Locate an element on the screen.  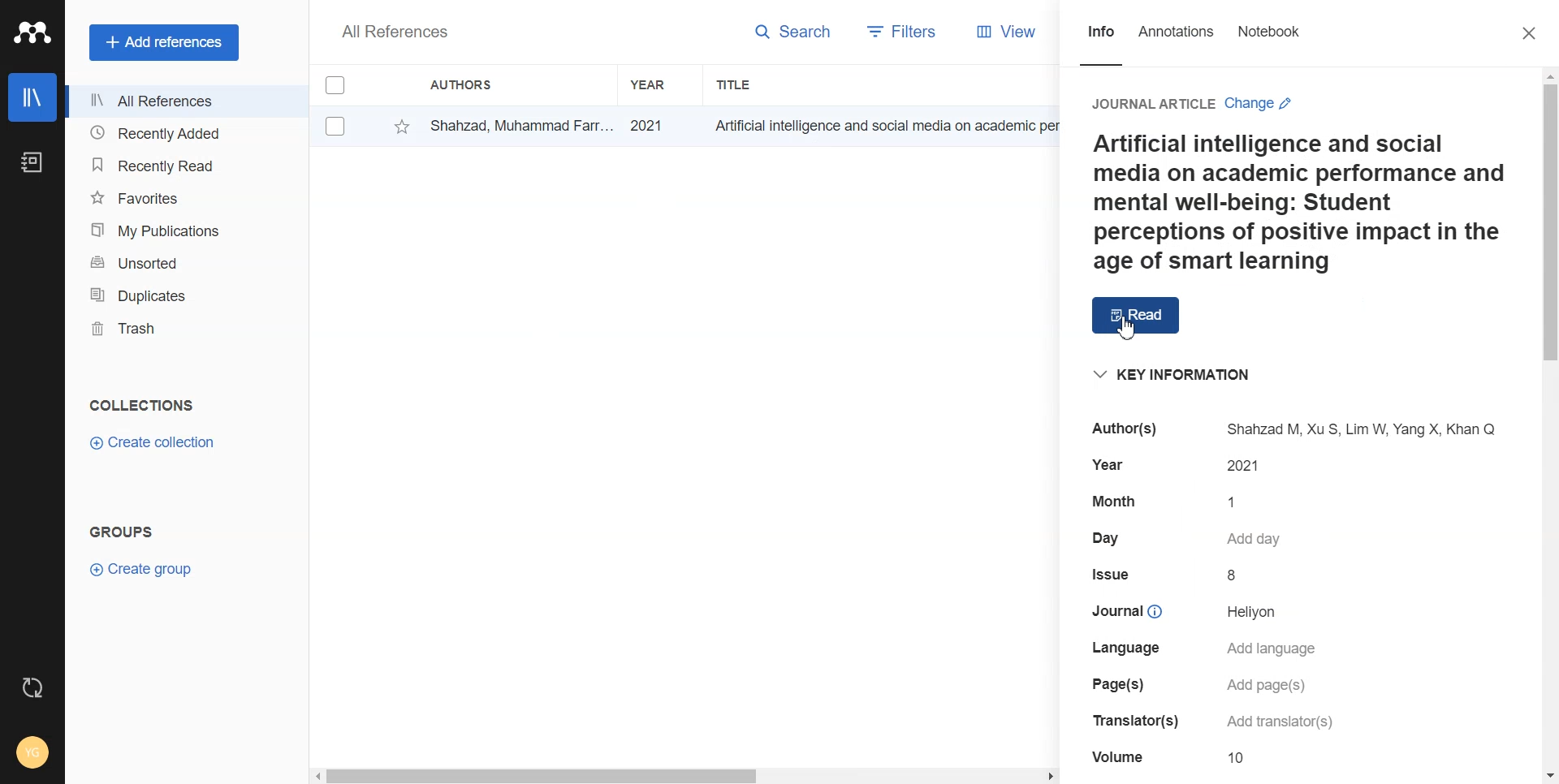
Favorites is located at coordinates (183, 196).